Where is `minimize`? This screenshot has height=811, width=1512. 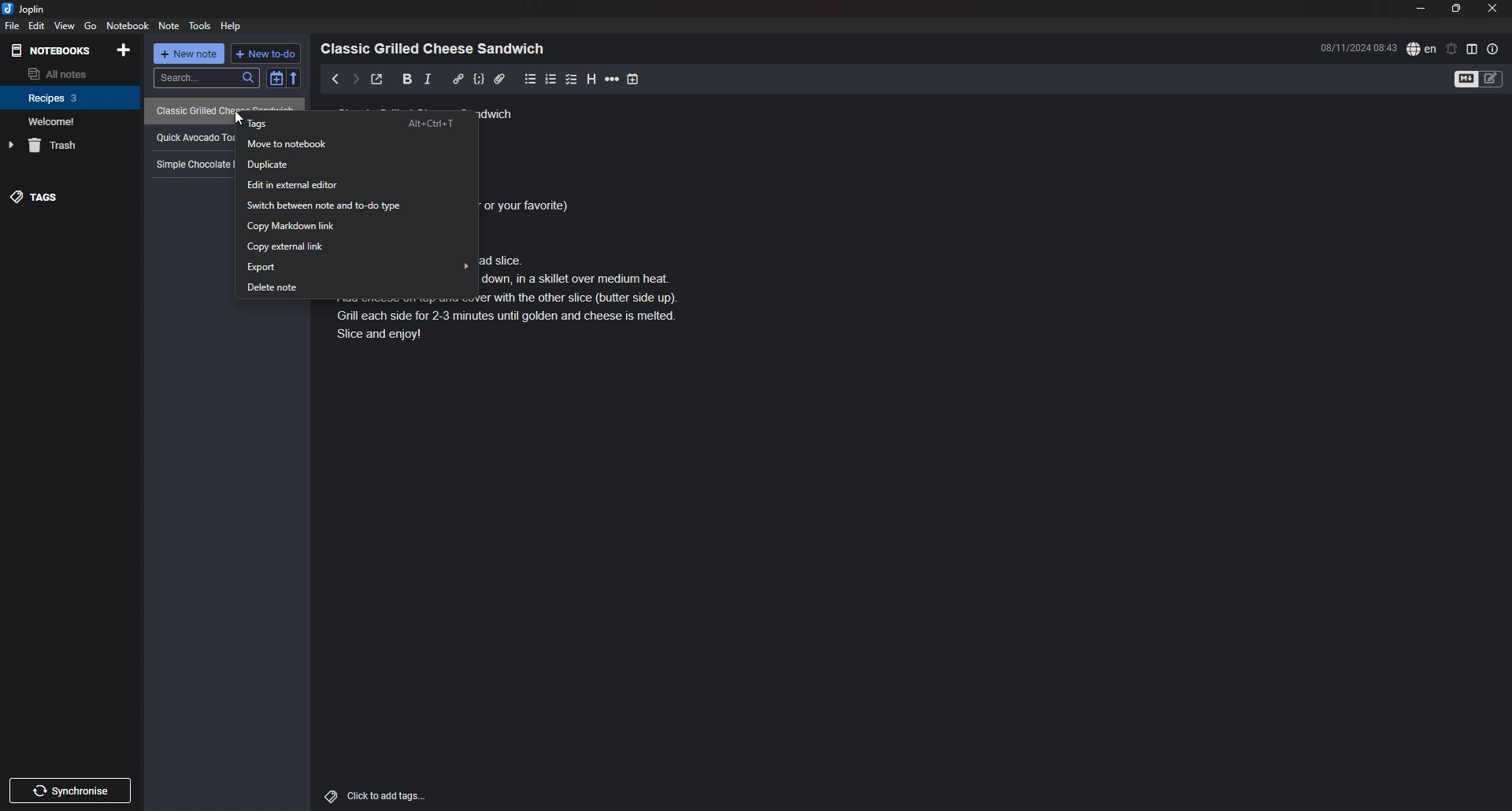 minimize is located at coordinates (1421, 9).